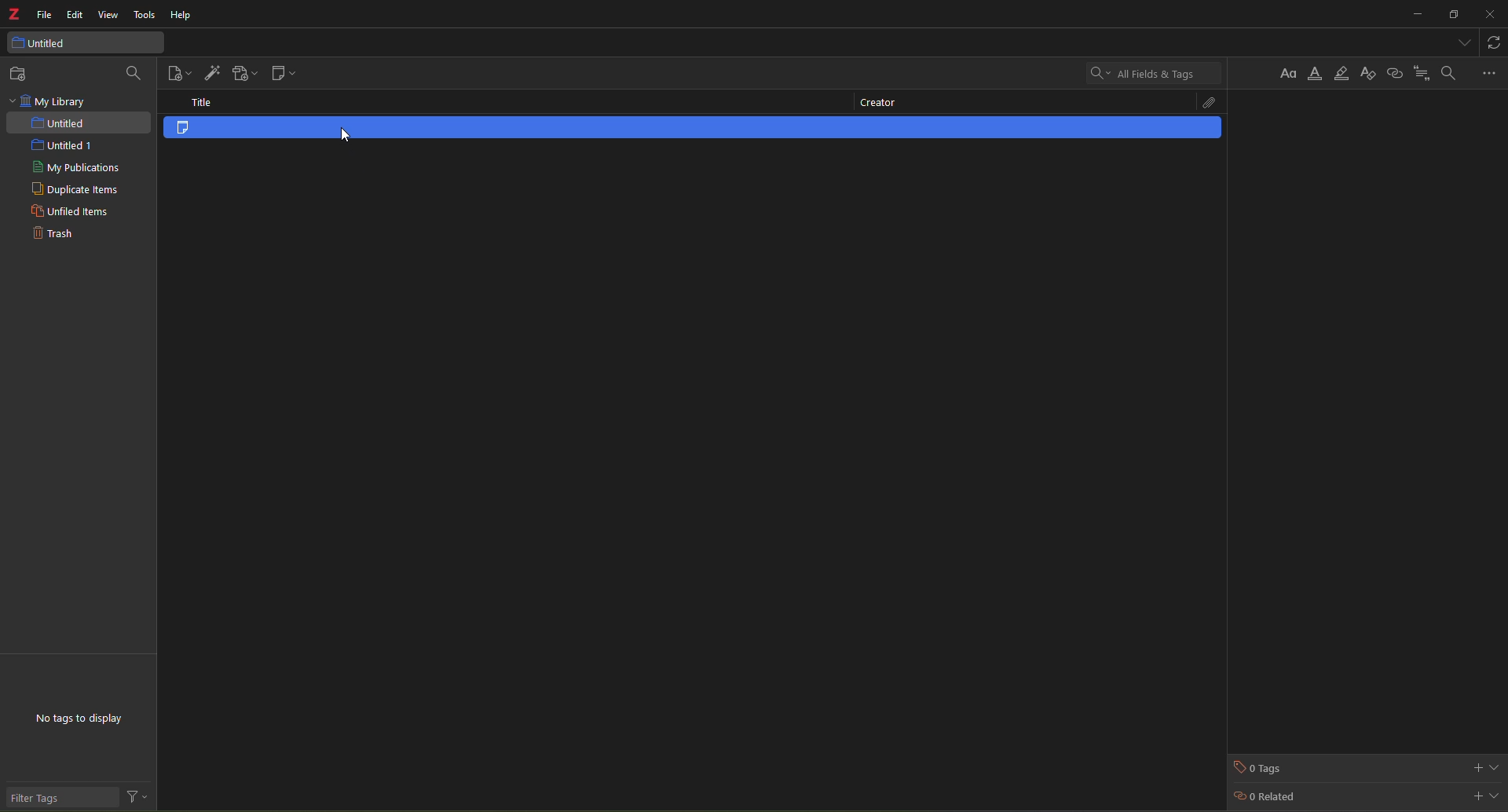 This screenshot has width=1508, height=812. I want to click on untited, so click(58, 123).